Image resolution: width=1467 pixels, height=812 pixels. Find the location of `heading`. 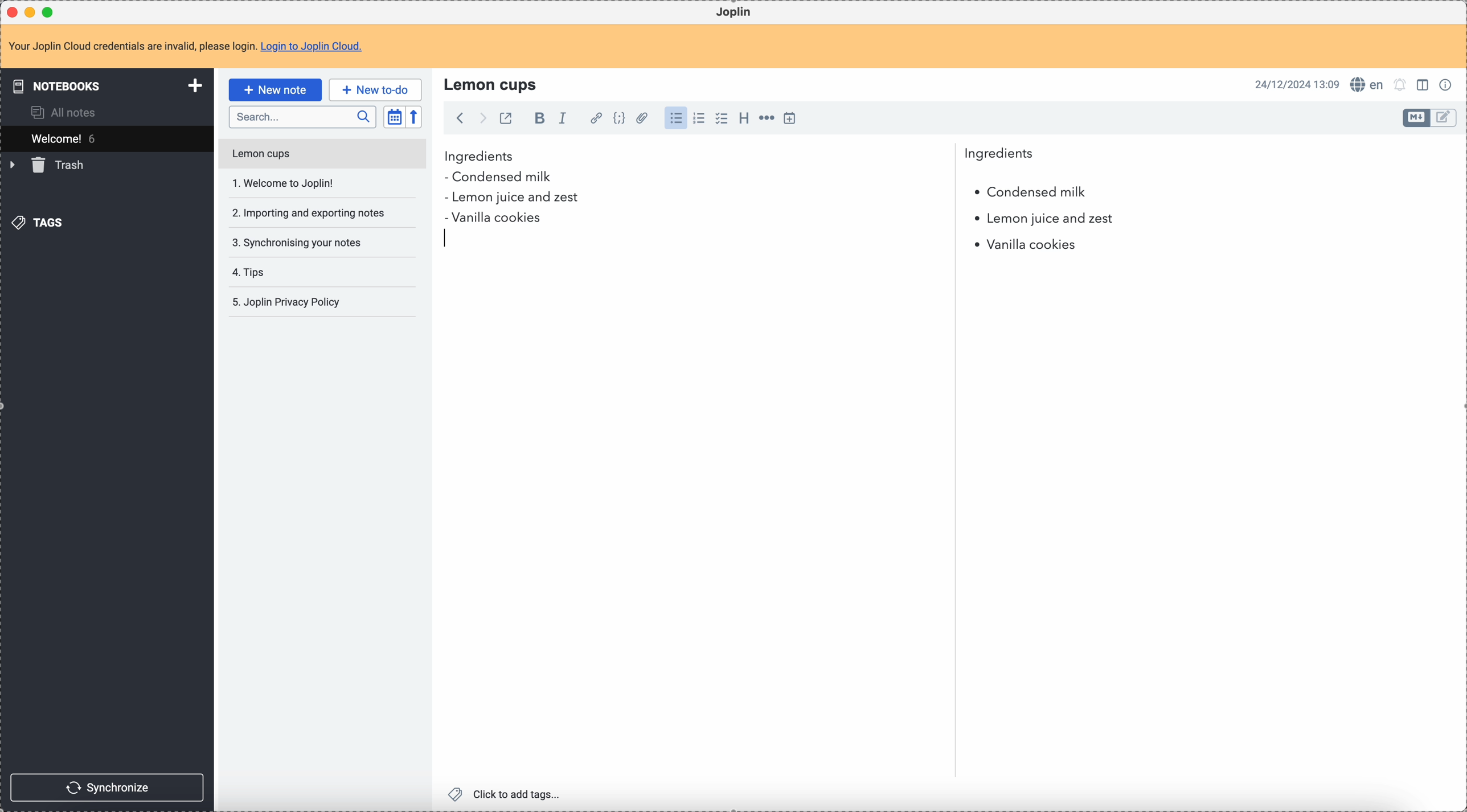

heading is located at coordinates (744, 117).